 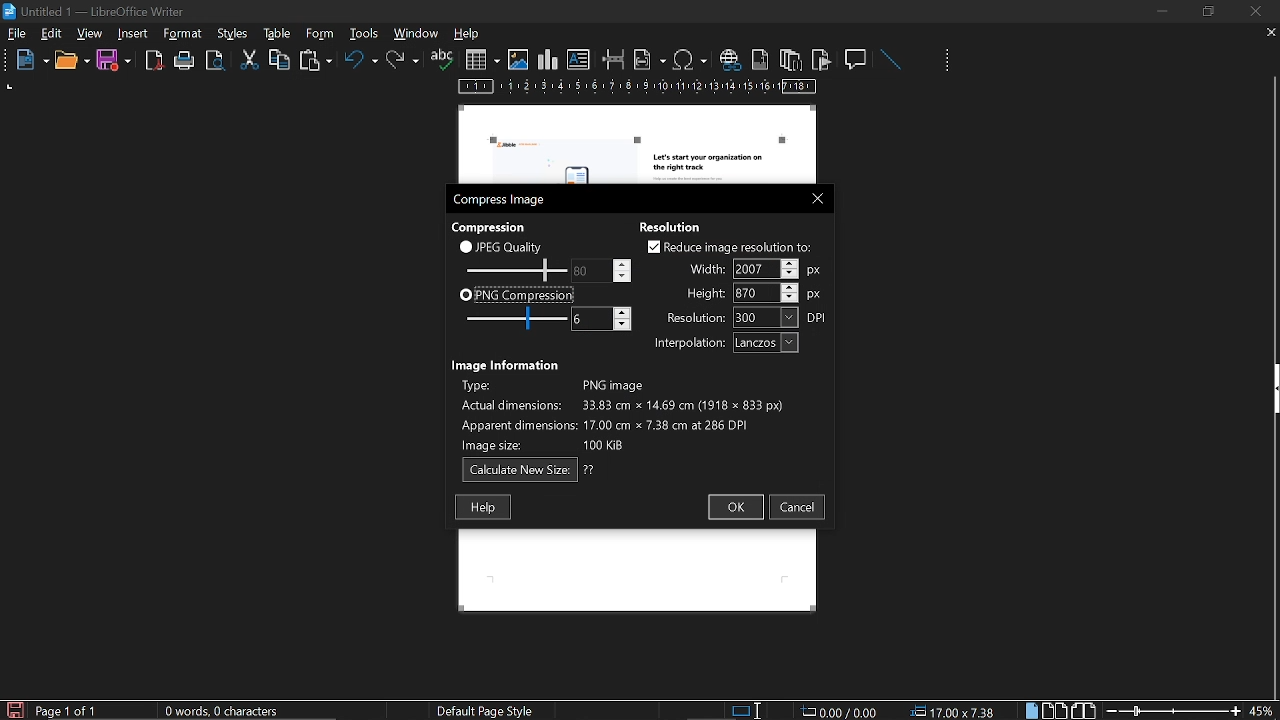 What do you see at coordinates (650, 59) in the screenshot?
I see `insert field` at bounding box center [650, 59].